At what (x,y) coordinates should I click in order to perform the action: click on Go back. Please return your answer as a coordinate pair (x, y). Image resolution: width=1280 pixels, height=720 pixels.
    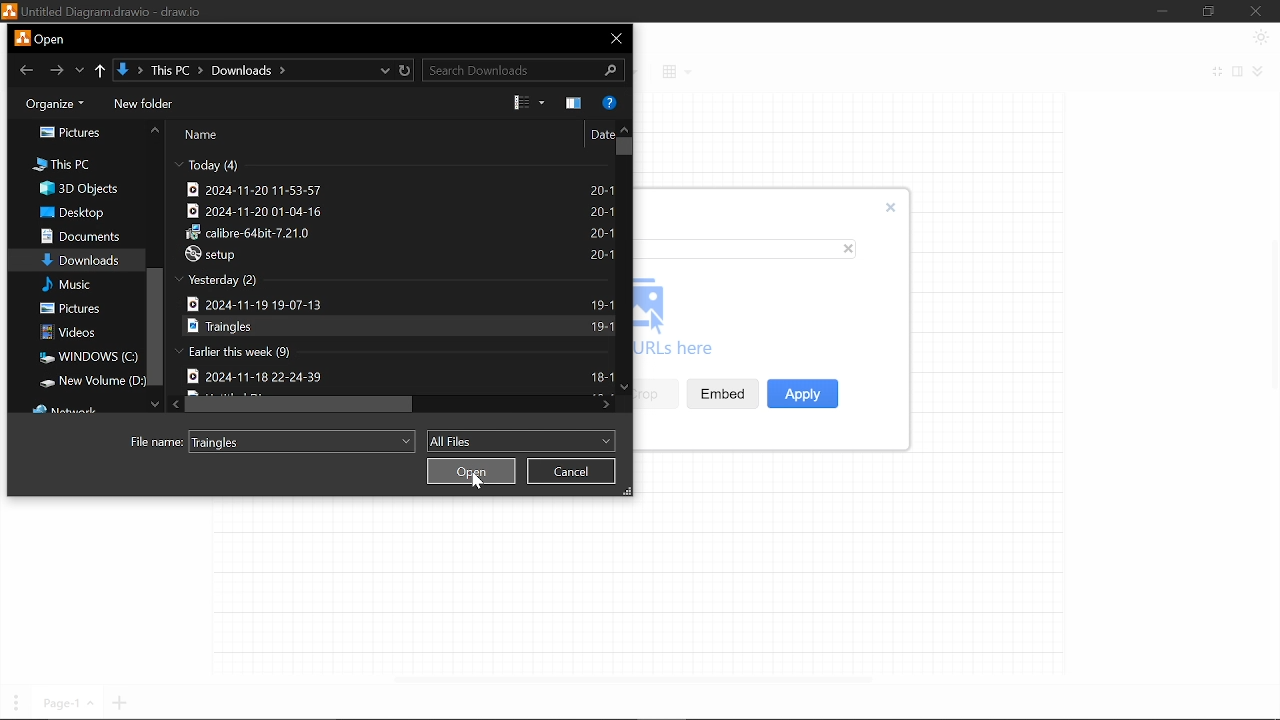
    Looking at the image, I should click on (23, 70).